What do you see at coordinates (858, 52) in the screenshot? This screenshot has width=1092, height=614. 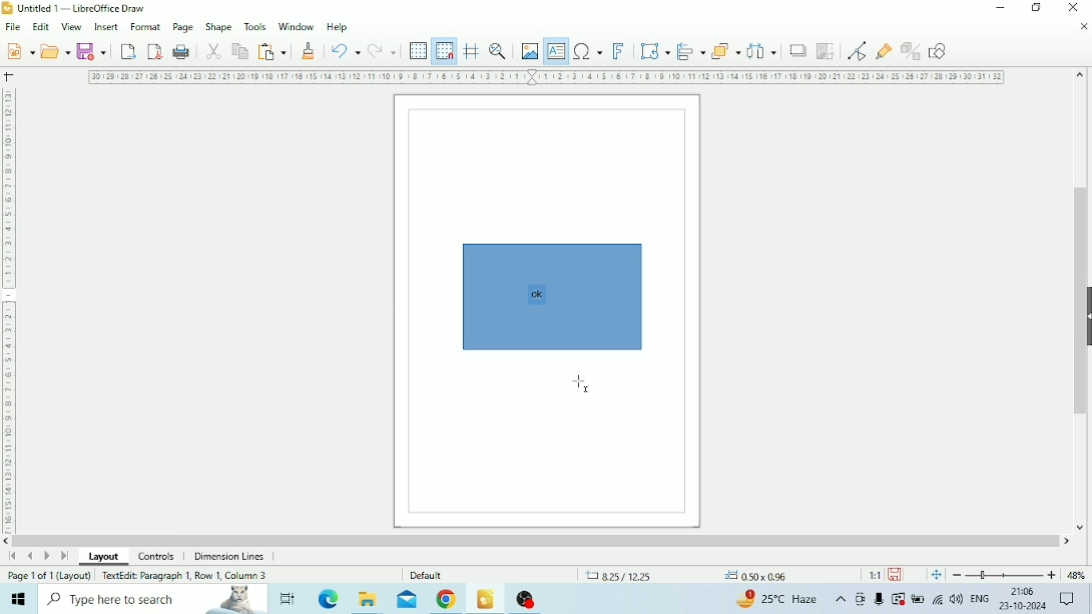 I see `Toggle Point Edit Mode` at bounding box center [858, 52].